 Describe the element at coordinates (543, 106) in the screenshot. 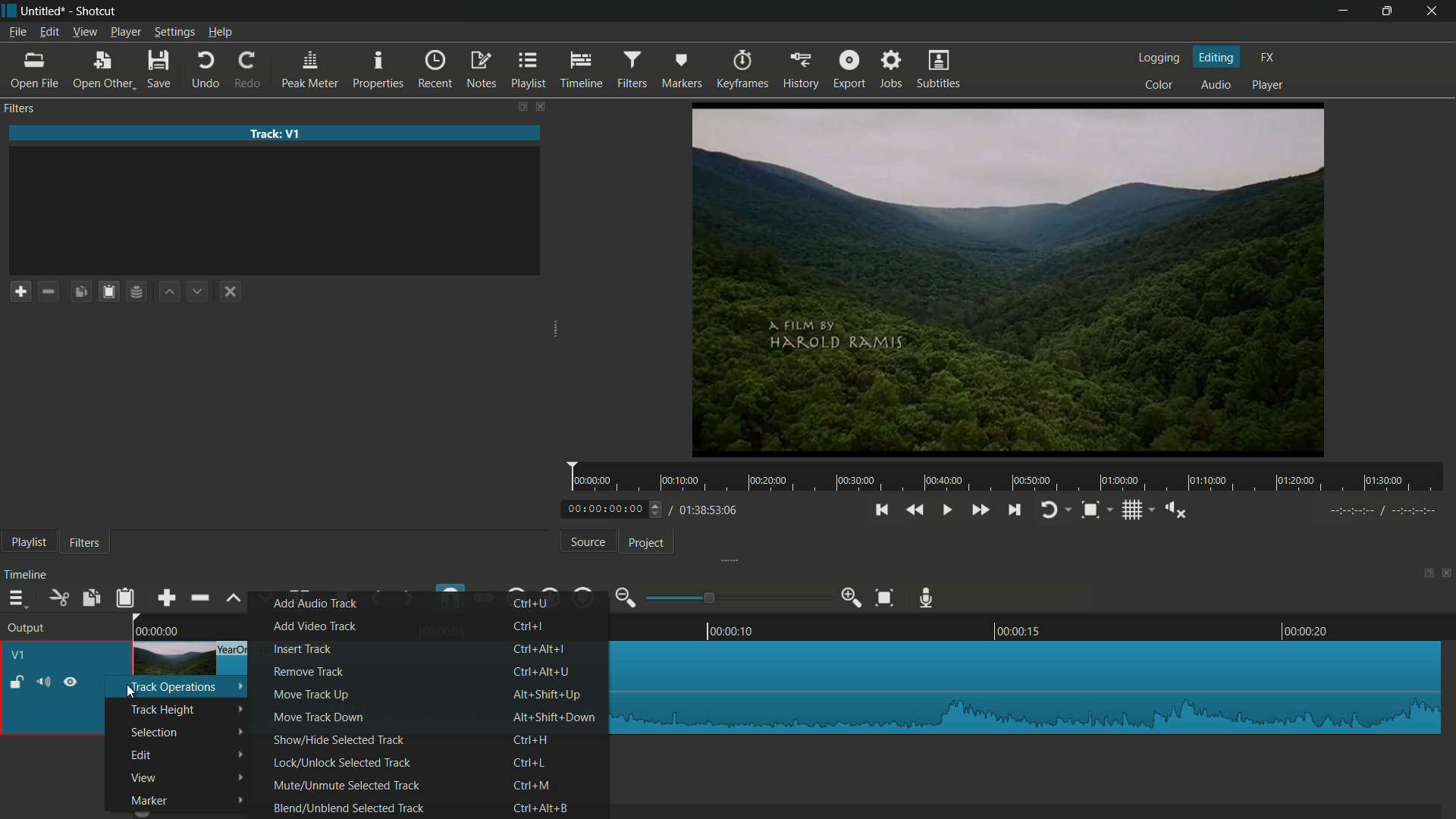

I see `close filters` at that location.